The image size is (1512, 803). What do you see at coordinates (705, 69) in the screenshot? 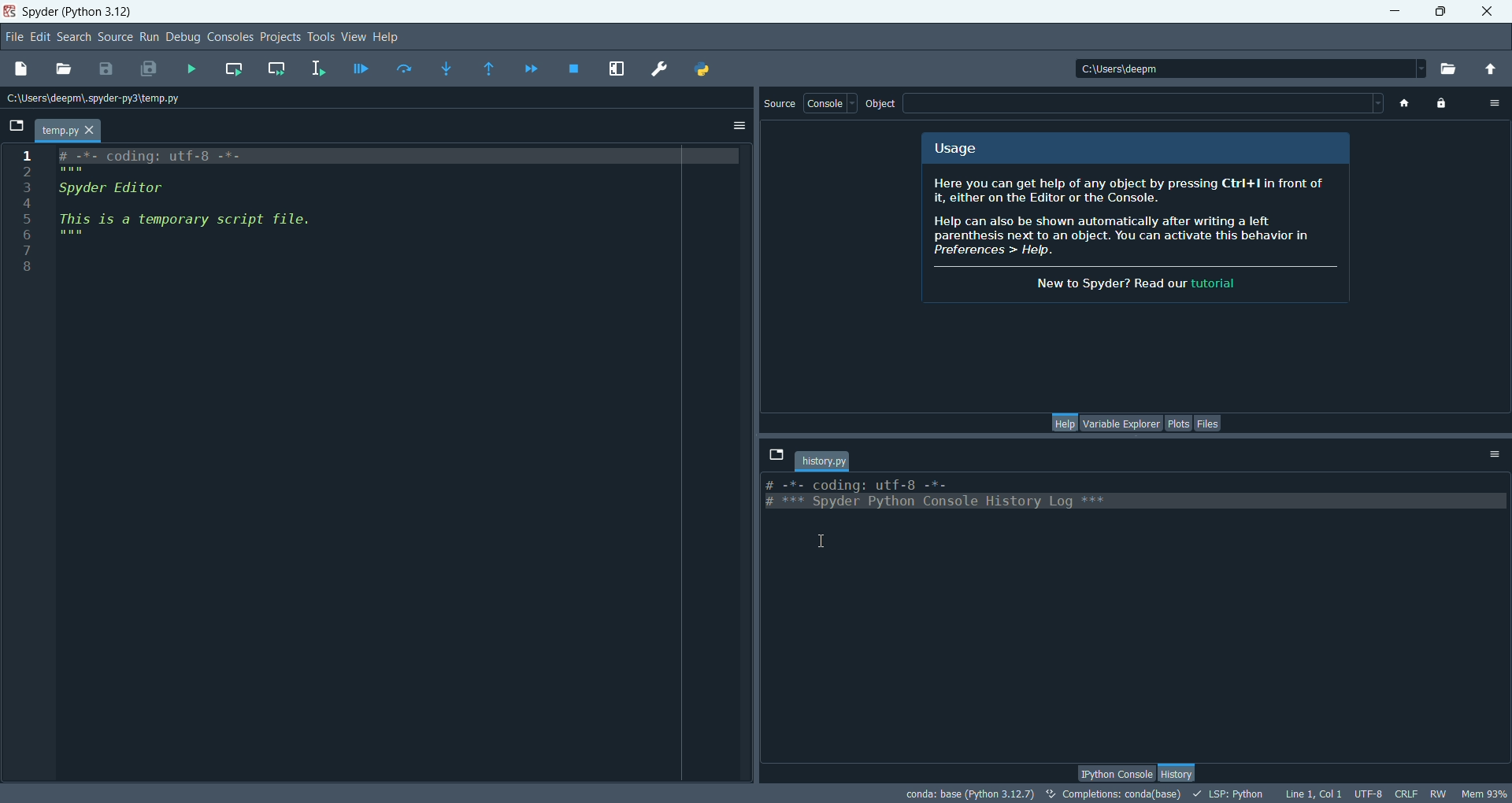
I see `PYHTONPATH manager` at bounding box center [705, 69].